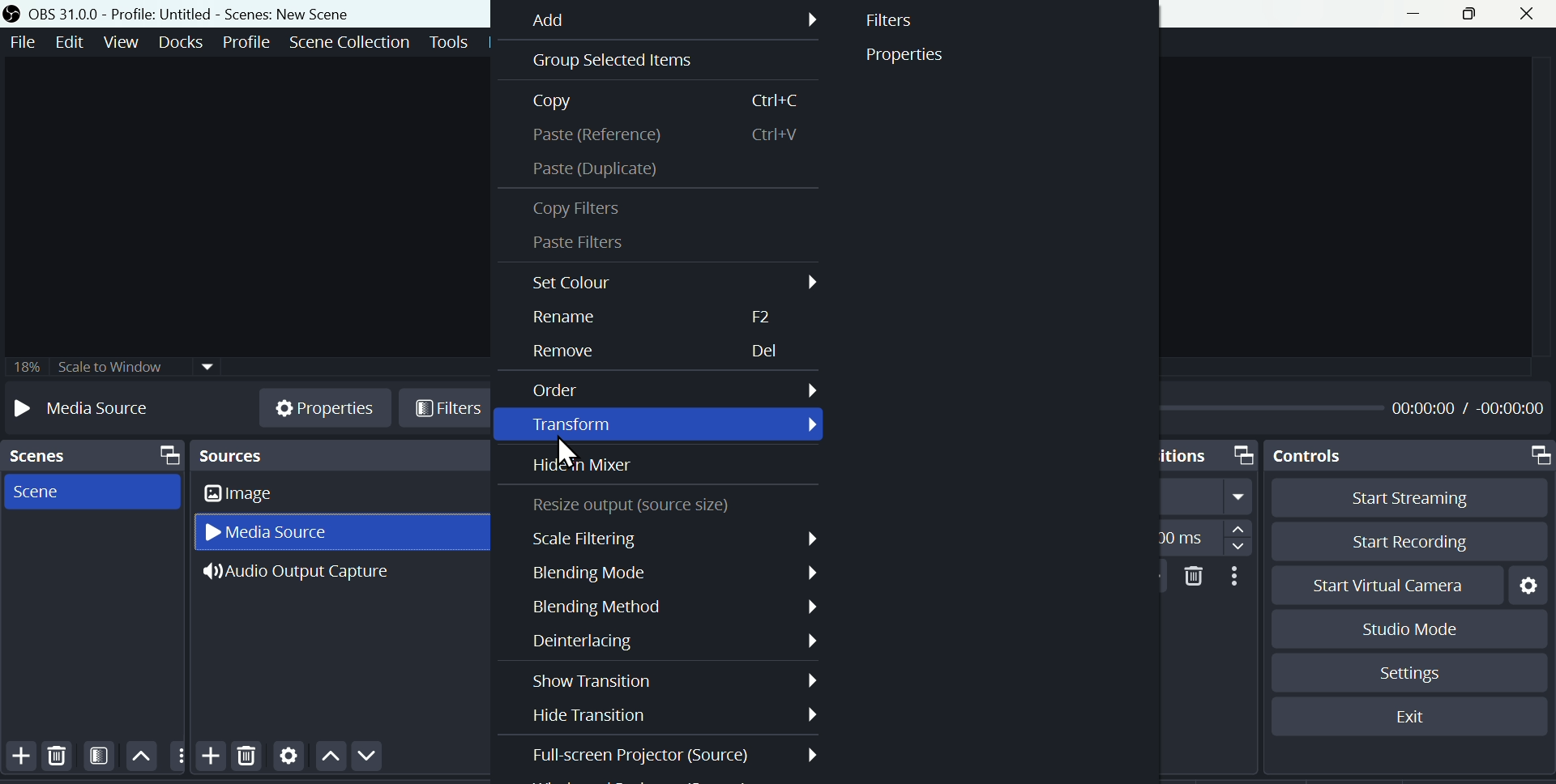  I want to click on Set colour, so click(669, 280).